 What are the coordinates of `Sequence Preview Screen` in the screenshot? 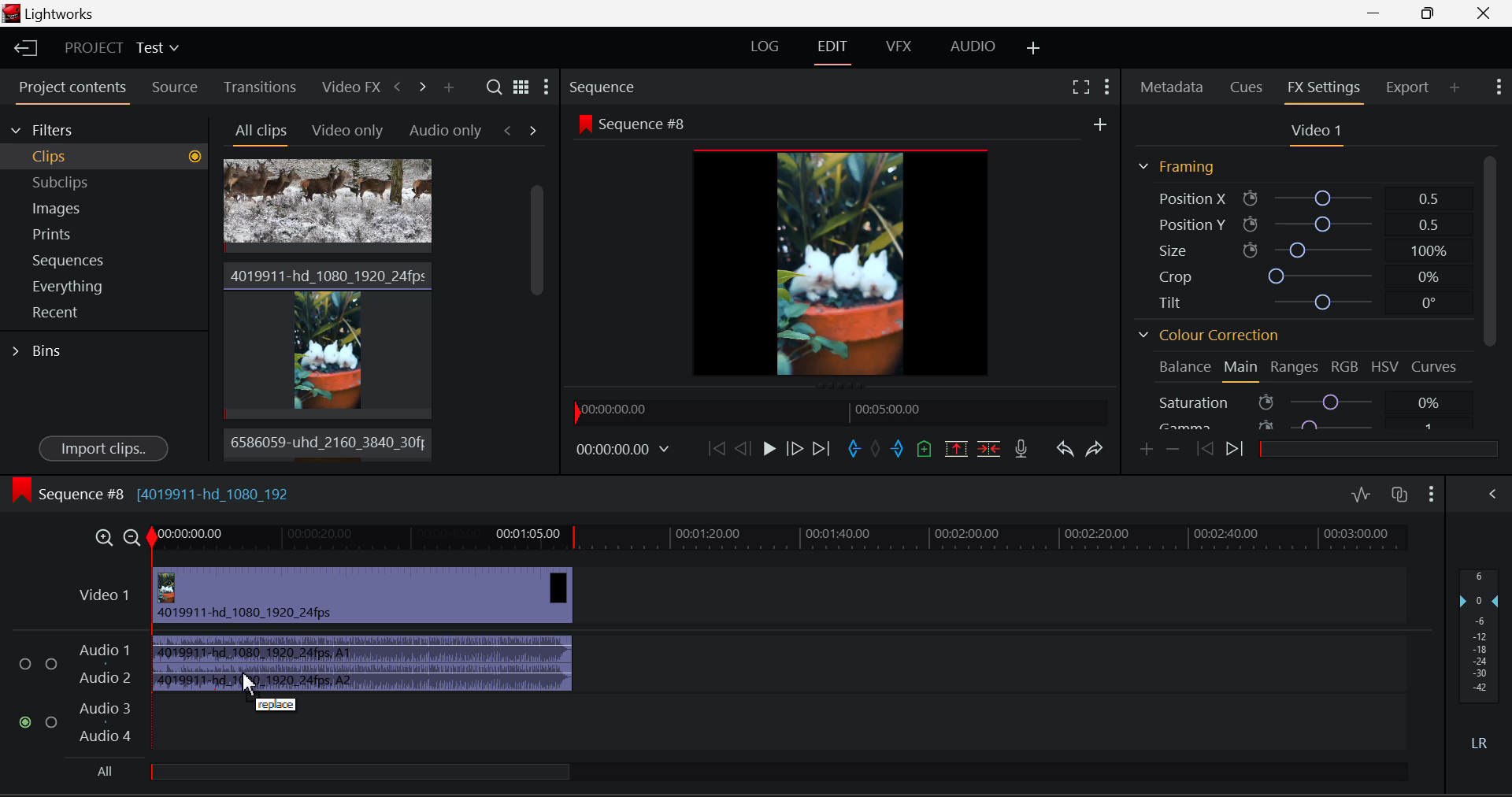 It's located at (842, 247).